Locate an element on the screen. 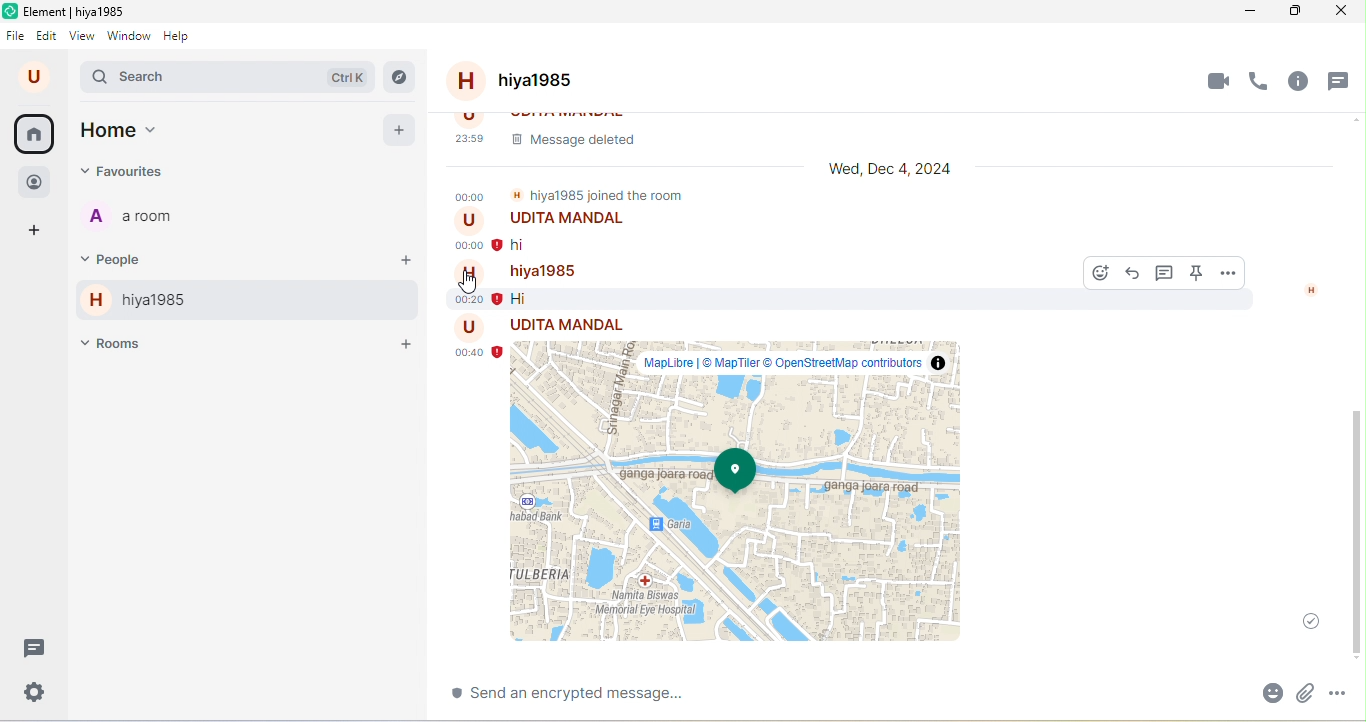  people is located at coordinates (119, 258).